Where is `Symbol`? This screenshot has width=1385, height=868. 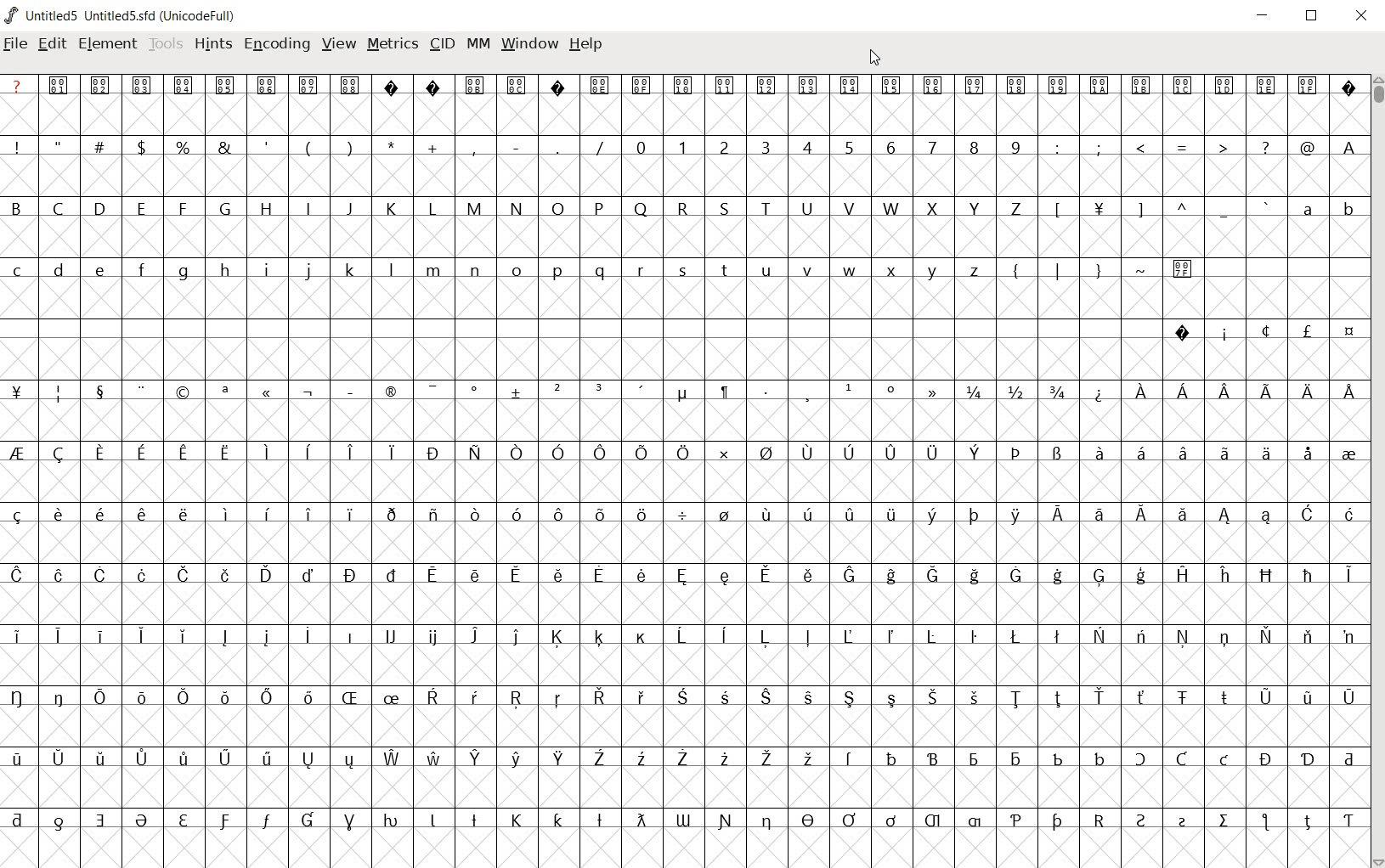
Symbol is located at coordinates (1143, 391).